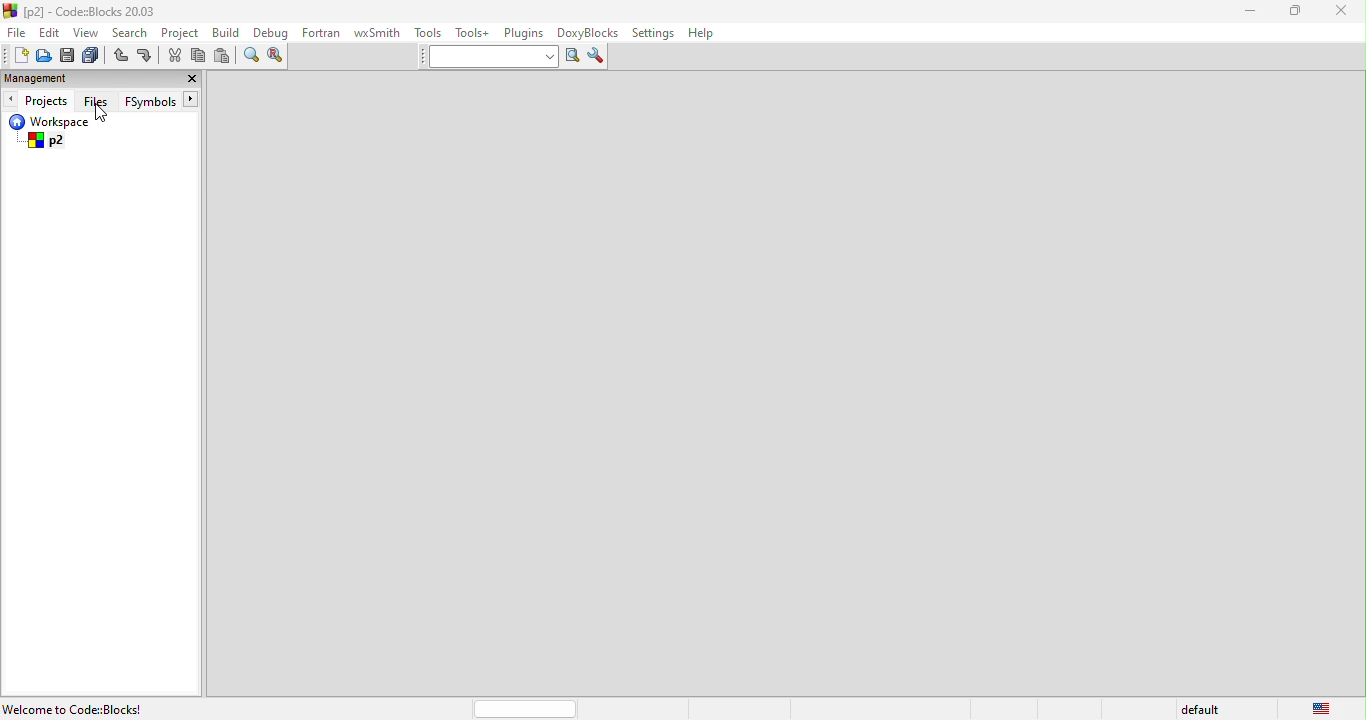 This screenshot has height=720, width=1366. I want to click on cursor, so click(107, 113).